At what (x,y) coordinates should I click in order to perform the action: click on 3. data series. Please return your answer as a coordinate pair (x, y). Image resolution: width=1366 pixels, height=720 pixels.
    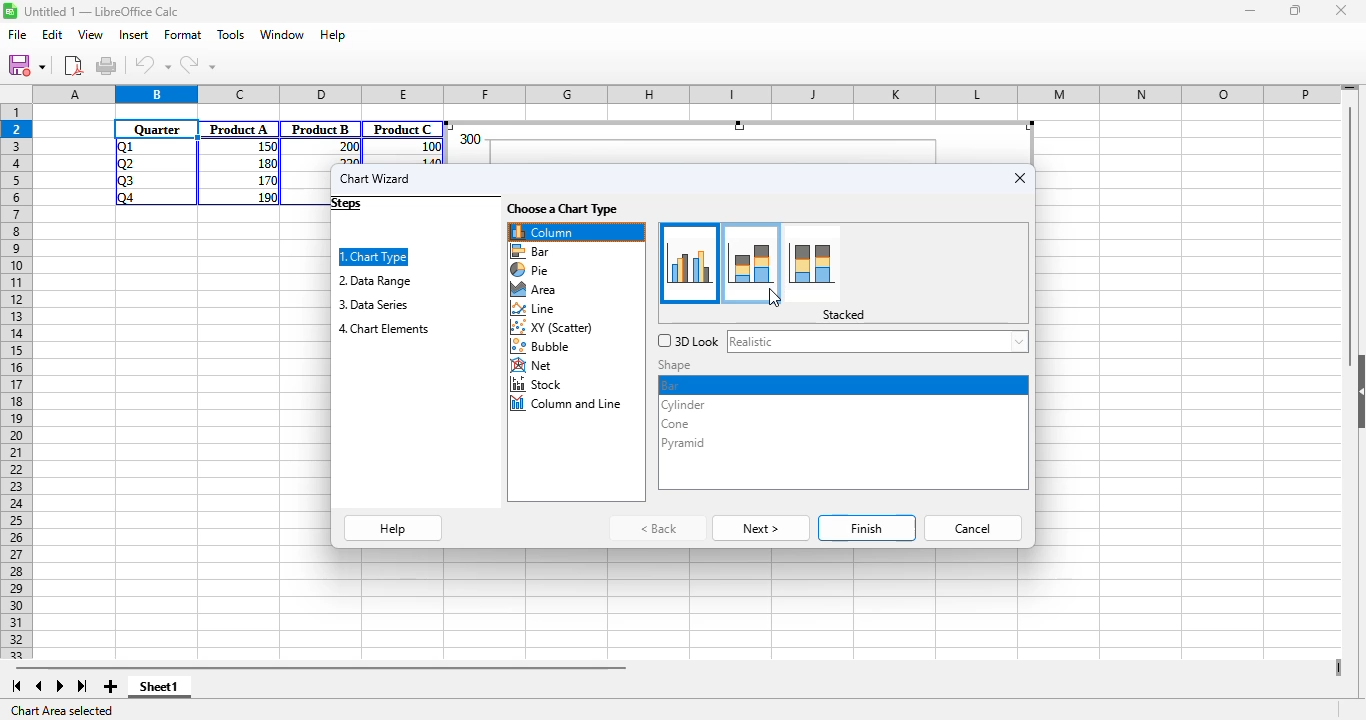
    Looking at the image, I should click on (372, 304).